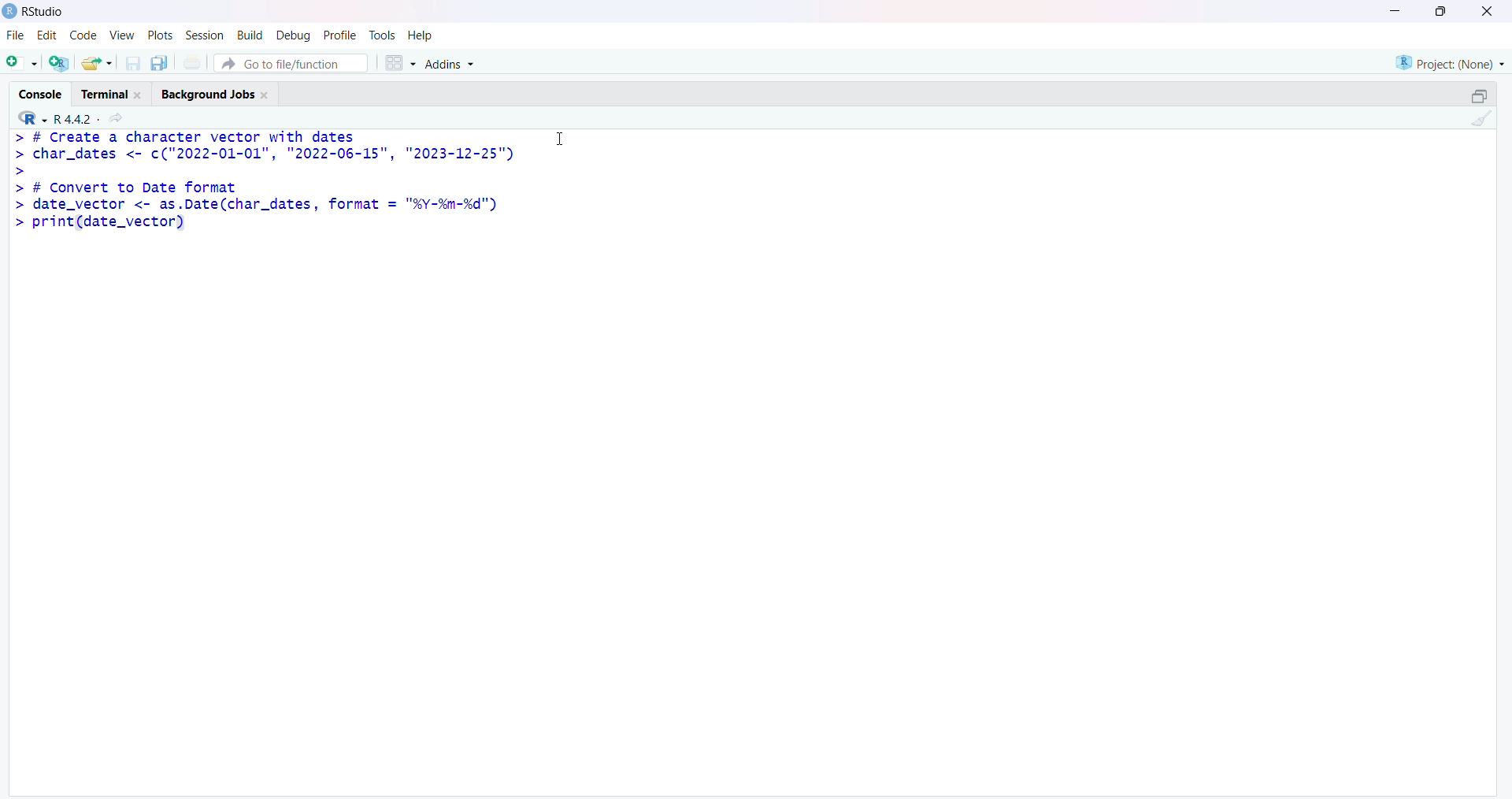 The width and height of the screenshot is (1512, 799). What do you see at coordinates (34, 15) in the screenshot?
I see `RStudio` at bounding box center [34, 15].